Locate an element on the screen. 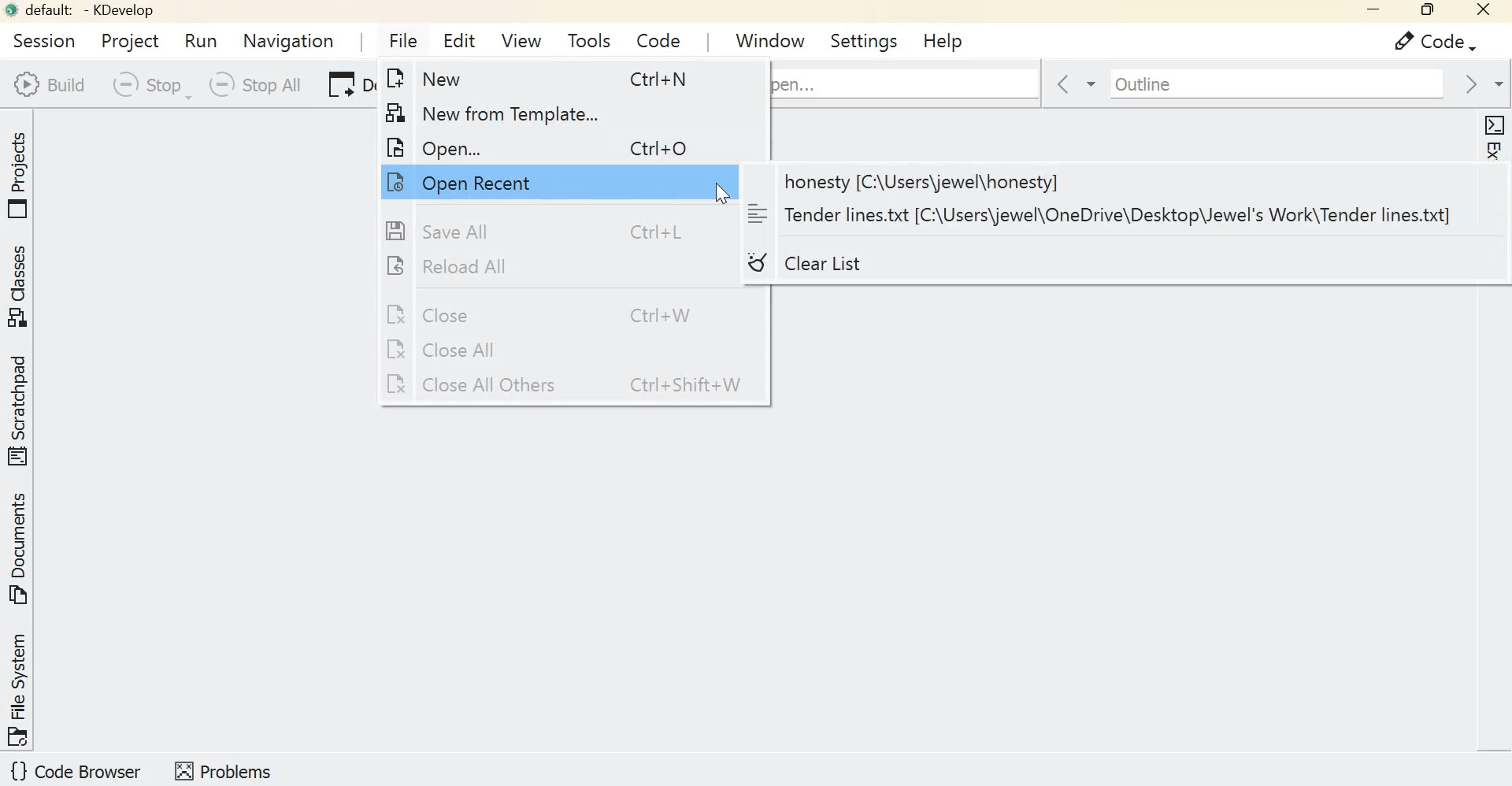 This screenshot has width=1512, height=786. Debug current launch is located at coordinates (346, 87).